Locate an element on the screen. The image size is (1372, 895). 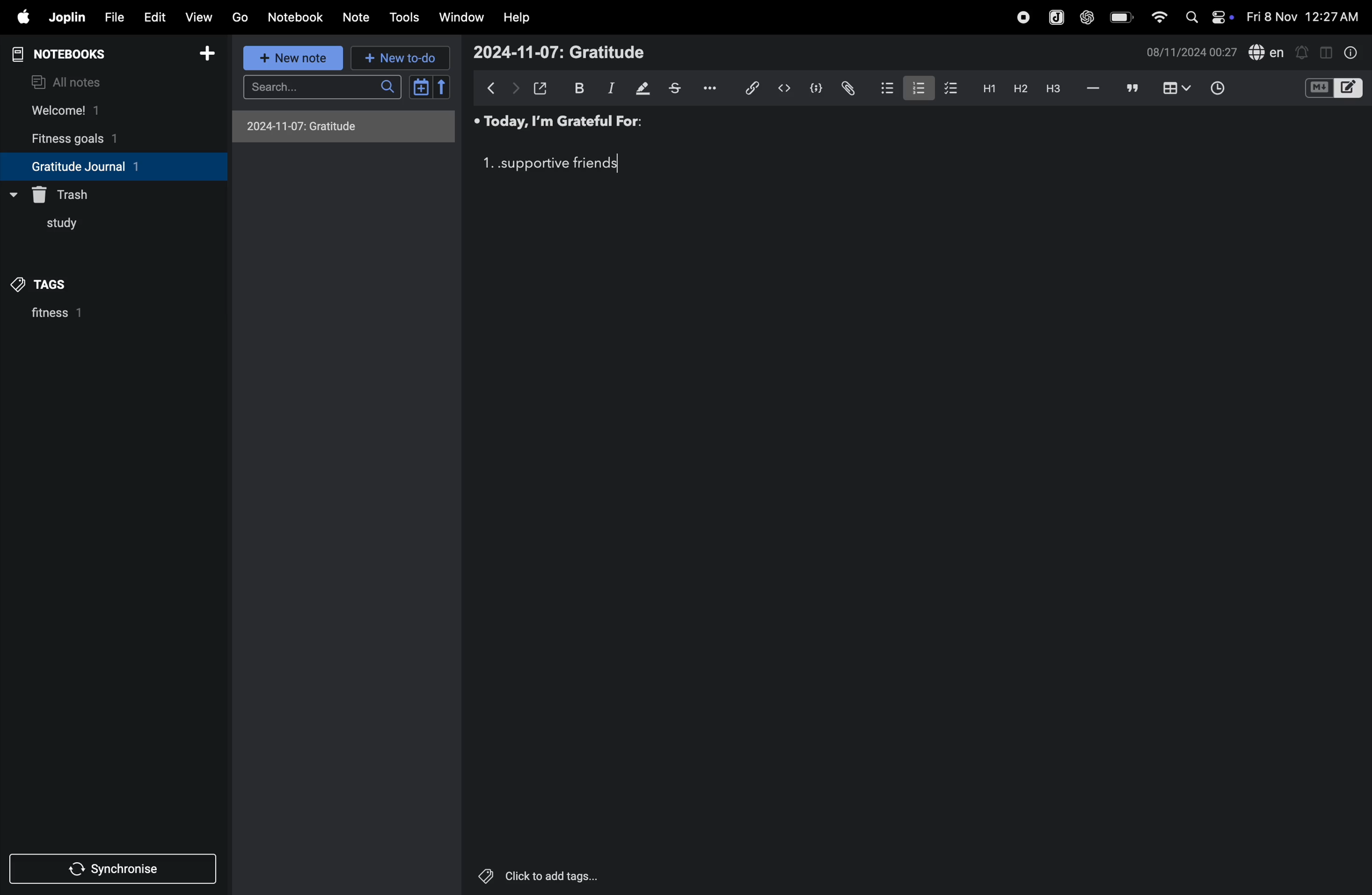
tags fitness is located at coordinates (49, 284).